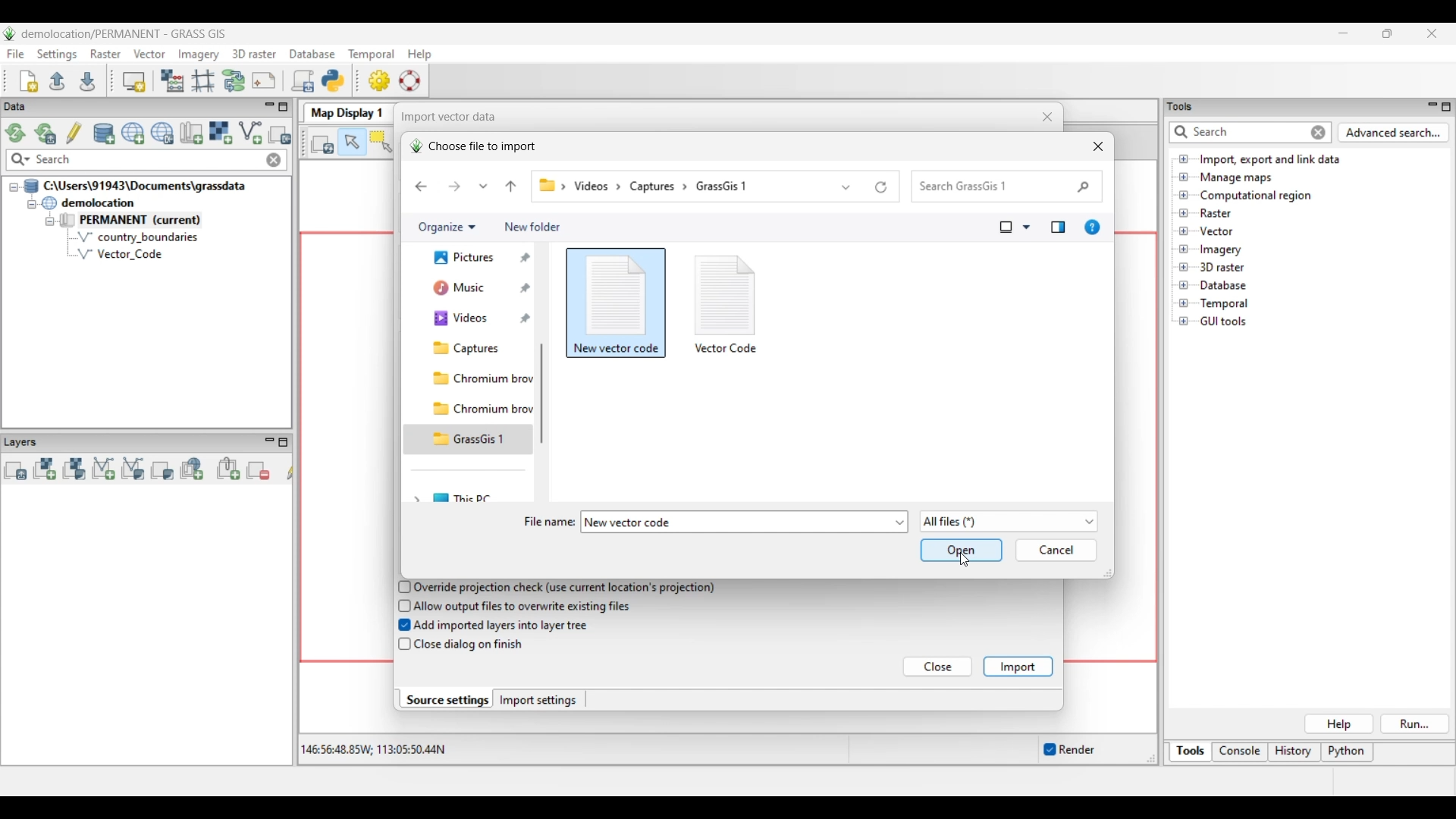 The image size is (1456, 819). What do you see at coordinates (45, 133) in the screenshot?
I see `Reload current GRASS mapset only` at bounding box center [45, 133].